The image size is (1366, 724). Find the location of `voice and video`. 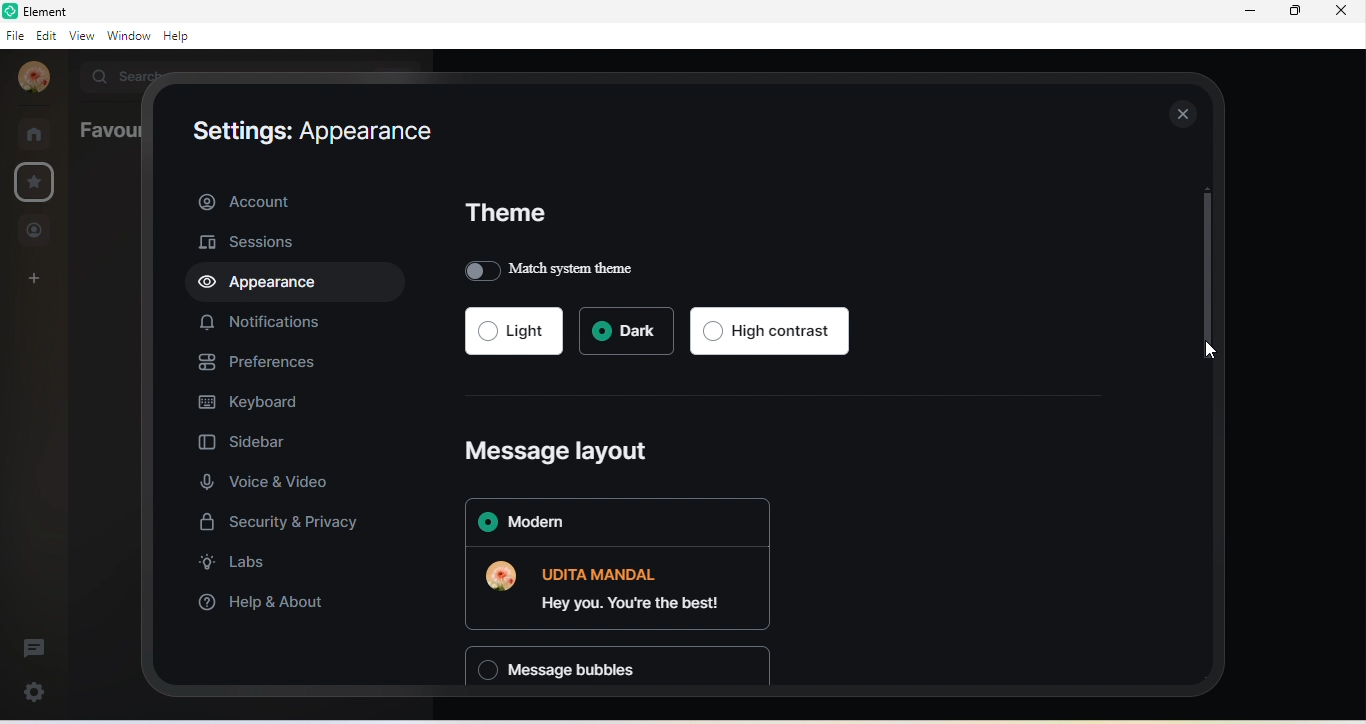

voice and video is located at coordinates (270, 479).